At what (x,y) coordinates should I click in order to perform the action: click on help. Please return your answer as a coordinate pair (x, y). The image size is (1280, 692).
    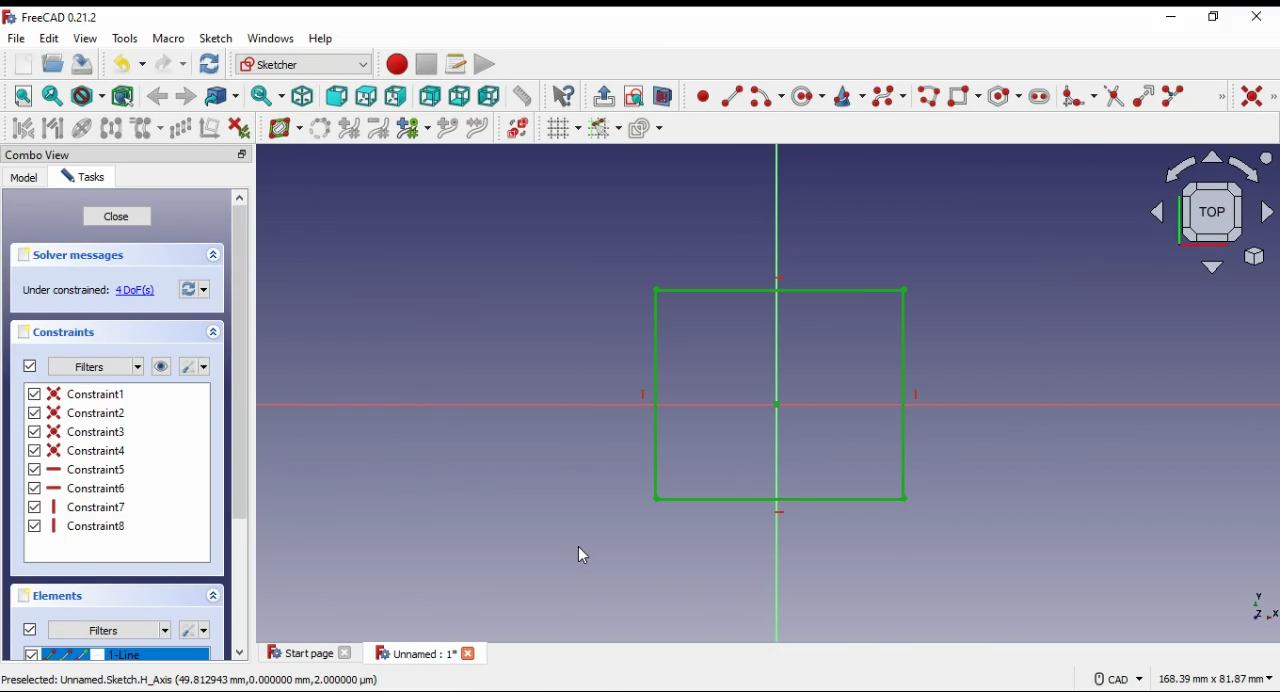
    Looking at the image, I should click on (322, 39).